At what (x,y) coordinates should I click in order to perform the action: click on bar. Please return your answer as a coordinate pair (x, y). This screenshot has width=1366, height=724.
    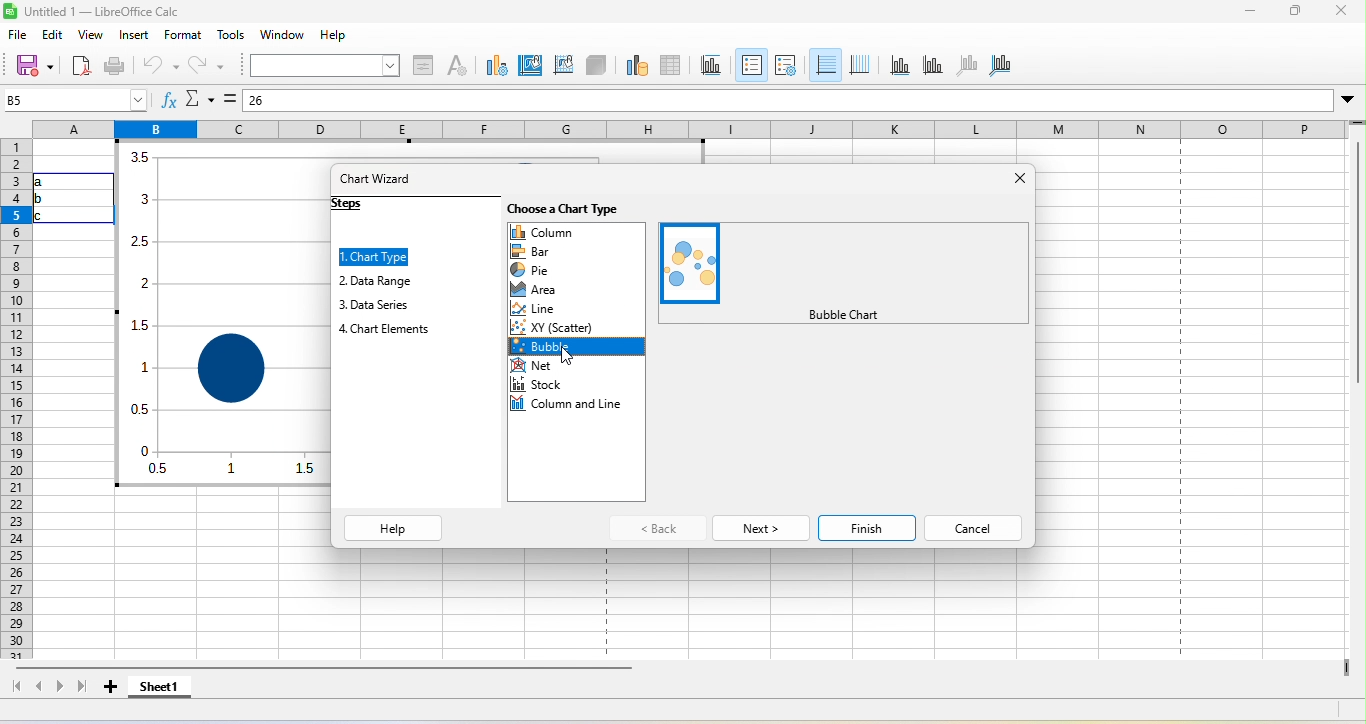
    Looking at the image, I should click on (544, 250).